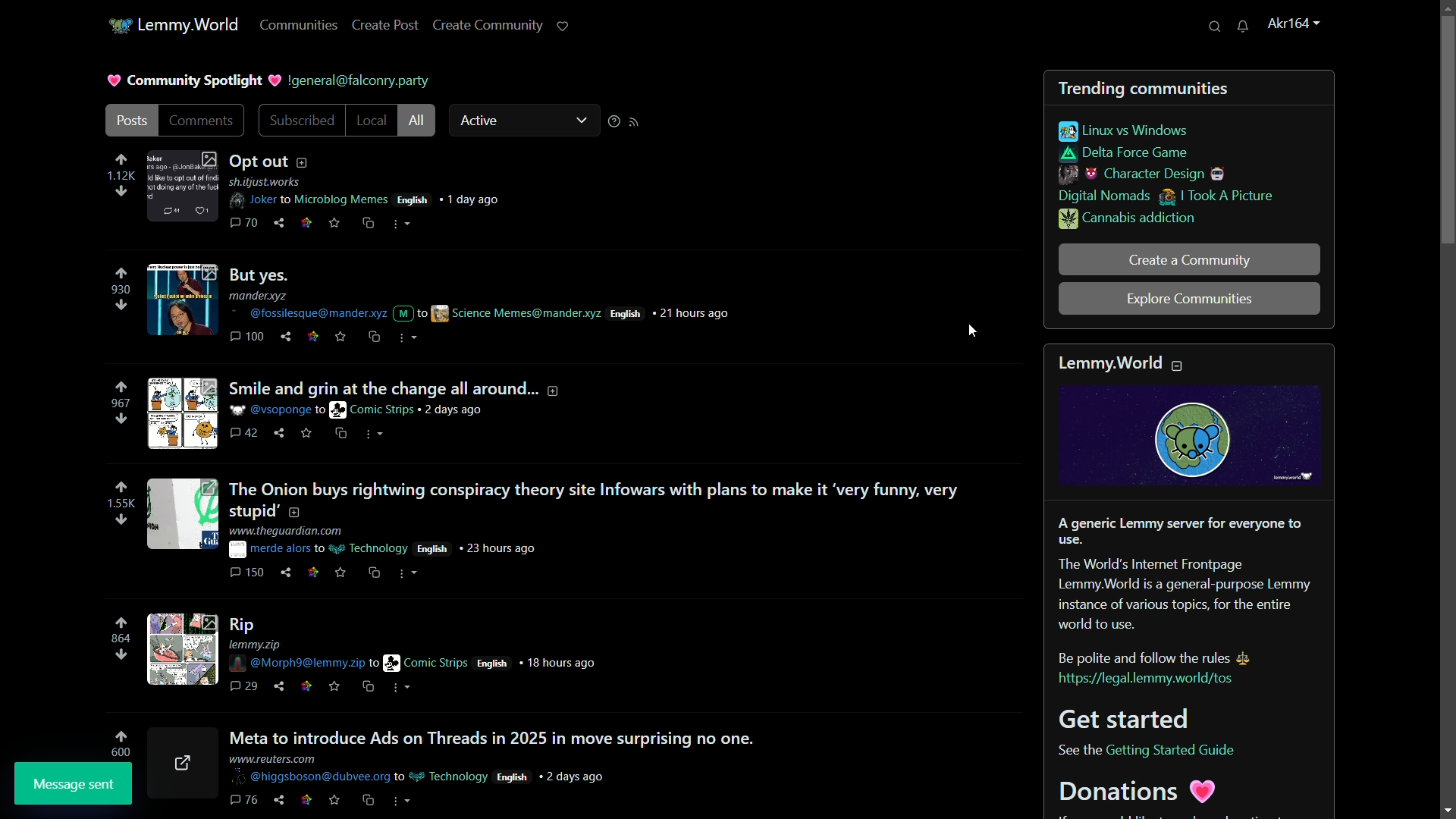 The width and height of the screenshot is (1456, 819). Describe the element at coordinates (121, 160) in the screenshot. I see `upvote` at that location.